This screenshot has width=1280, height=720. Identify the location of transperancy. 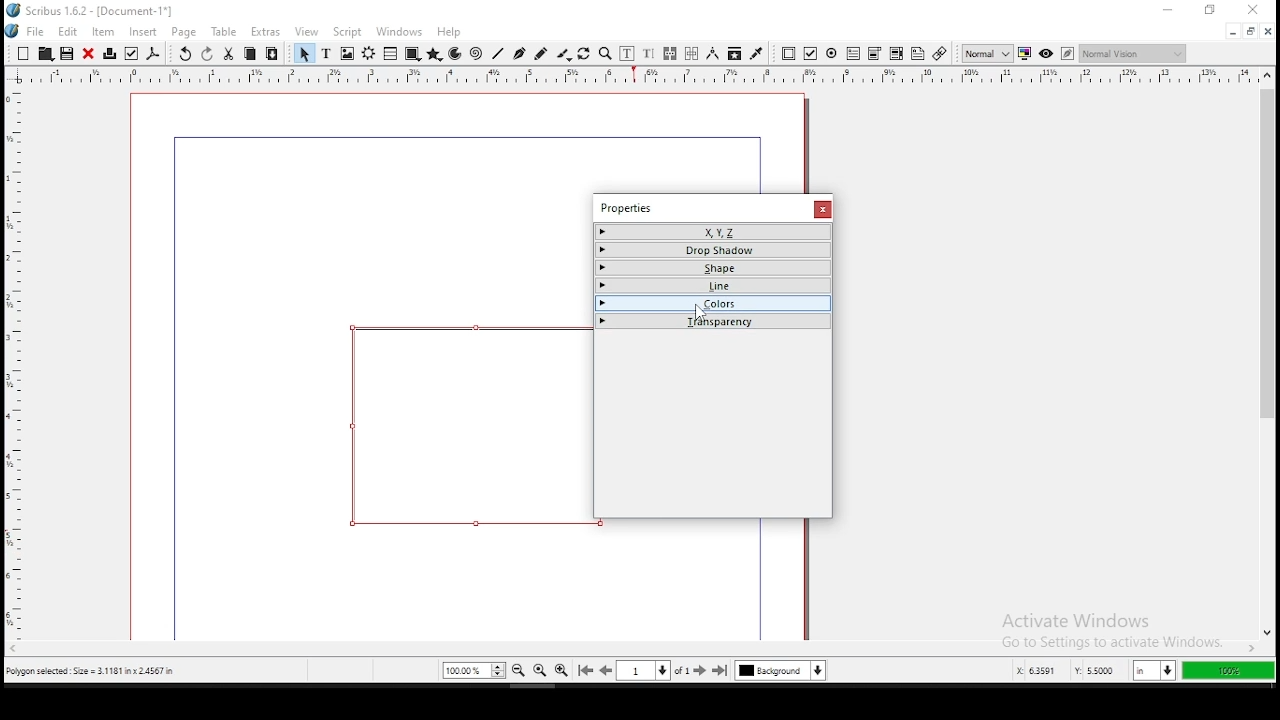
(713, 320).